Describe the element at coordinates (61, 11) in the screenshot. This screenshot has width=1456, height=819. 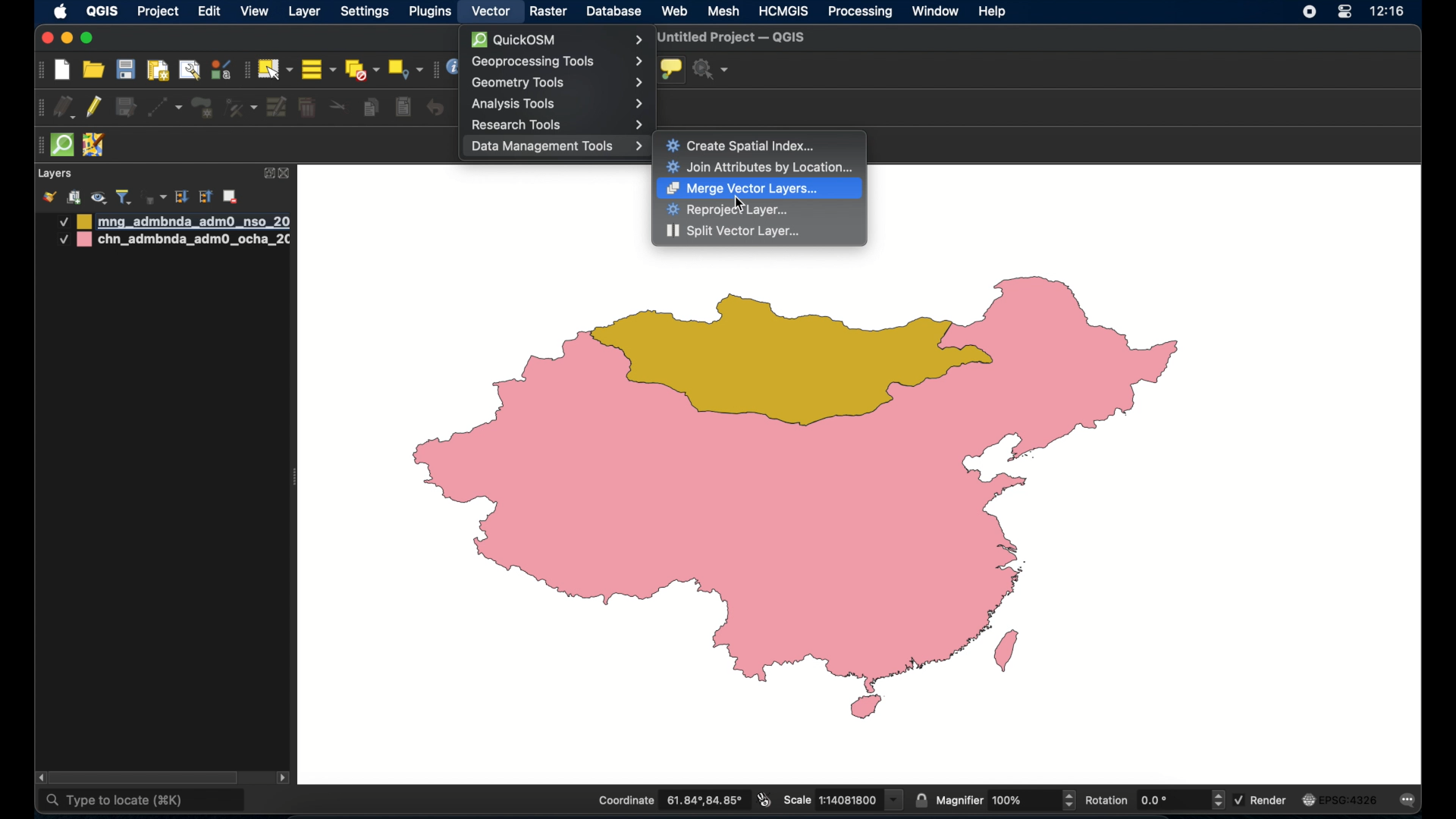
I see `apple icon` at that location.